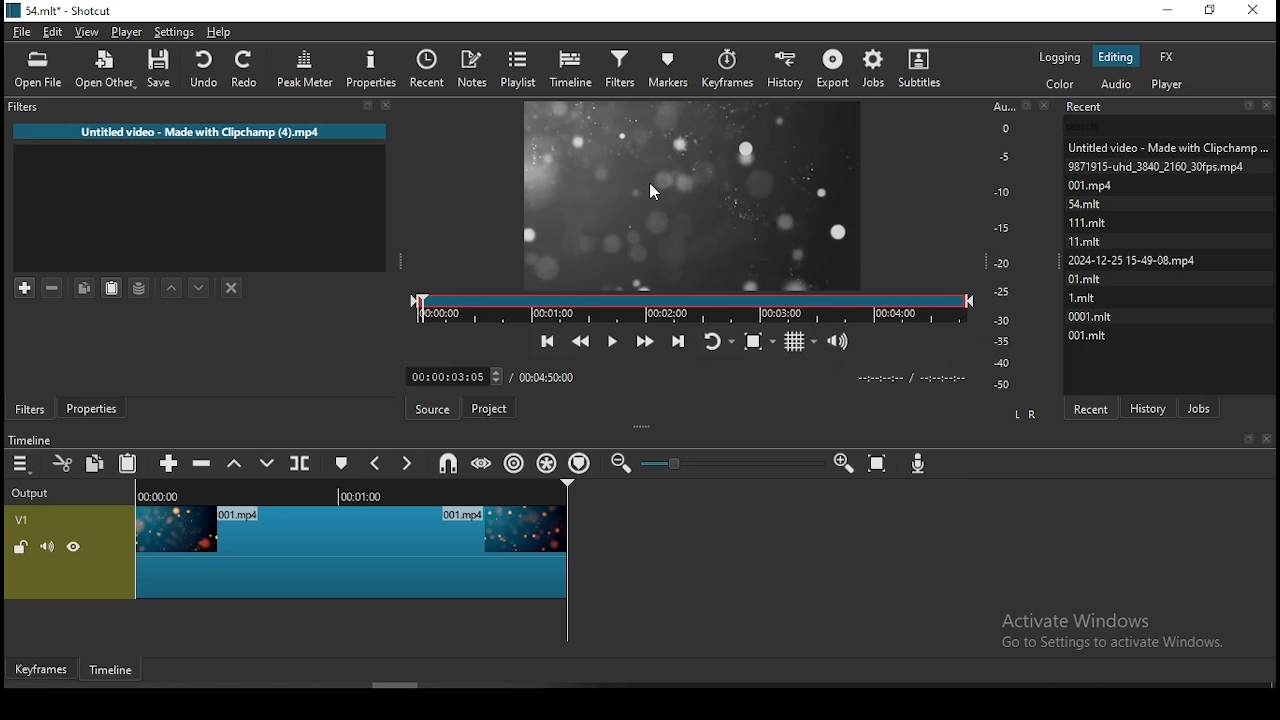 Image resolution: width=1280 pixels, height=720 pixels. What do you see at coordinates (434, 408) in the screenshot?
I see `source` at bounding box center [434, 408].